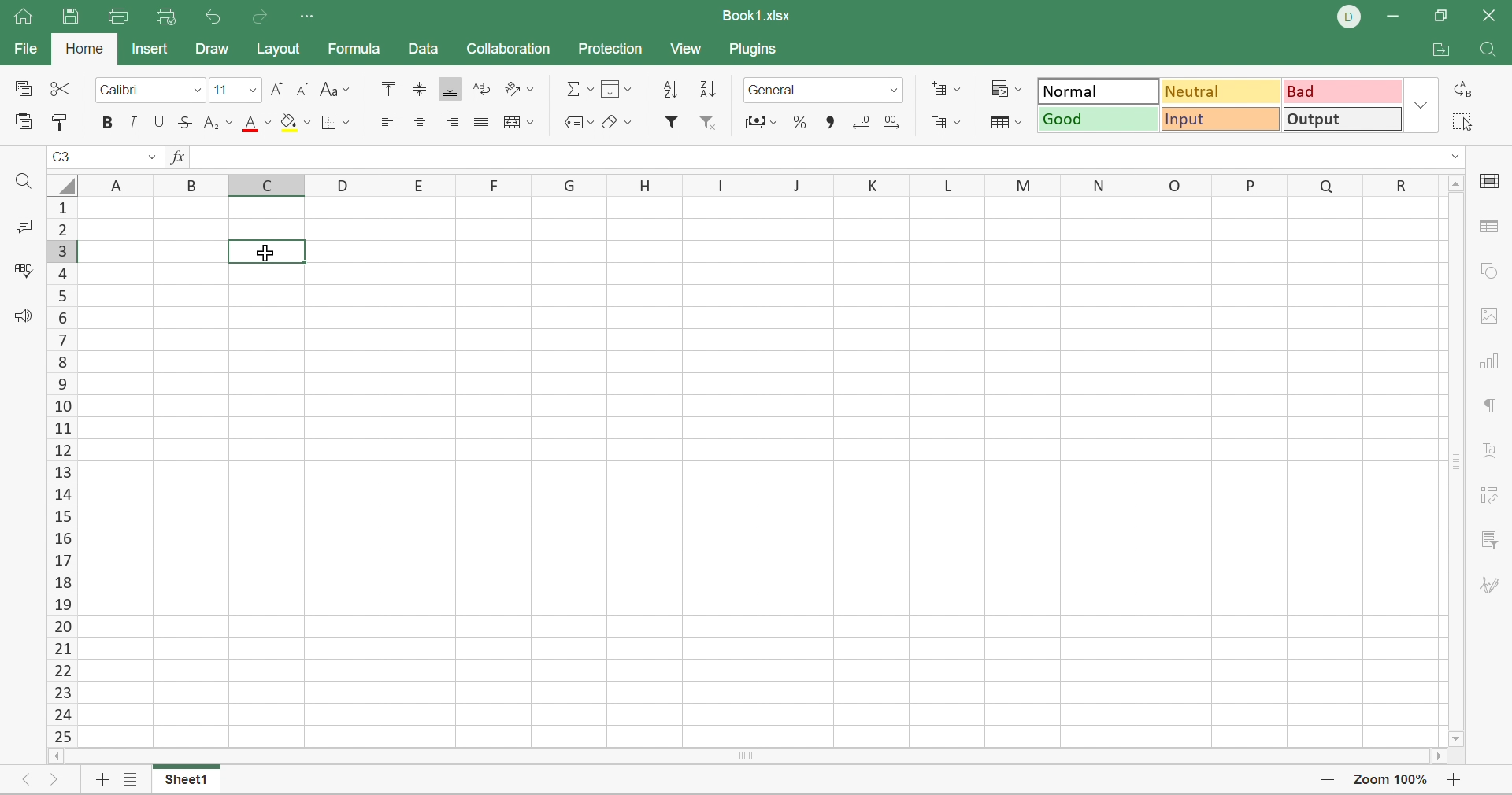 The image size is (1512, 795). What do you see at coordinates (361, 51) in the screenshot?
I see `Formula` at bounding box center [361, 51].